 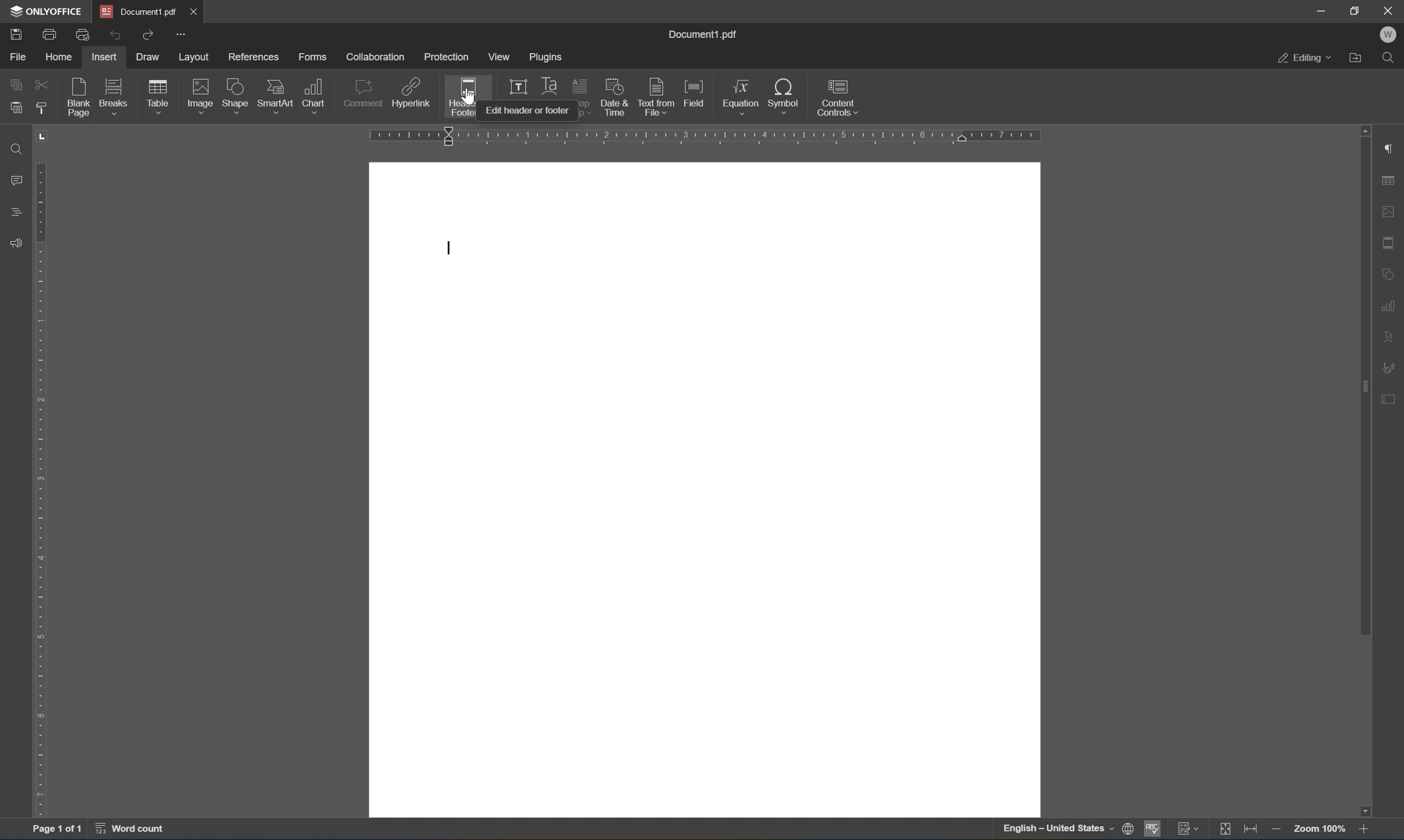 I want to click on insert, so click(x=106, y=58).